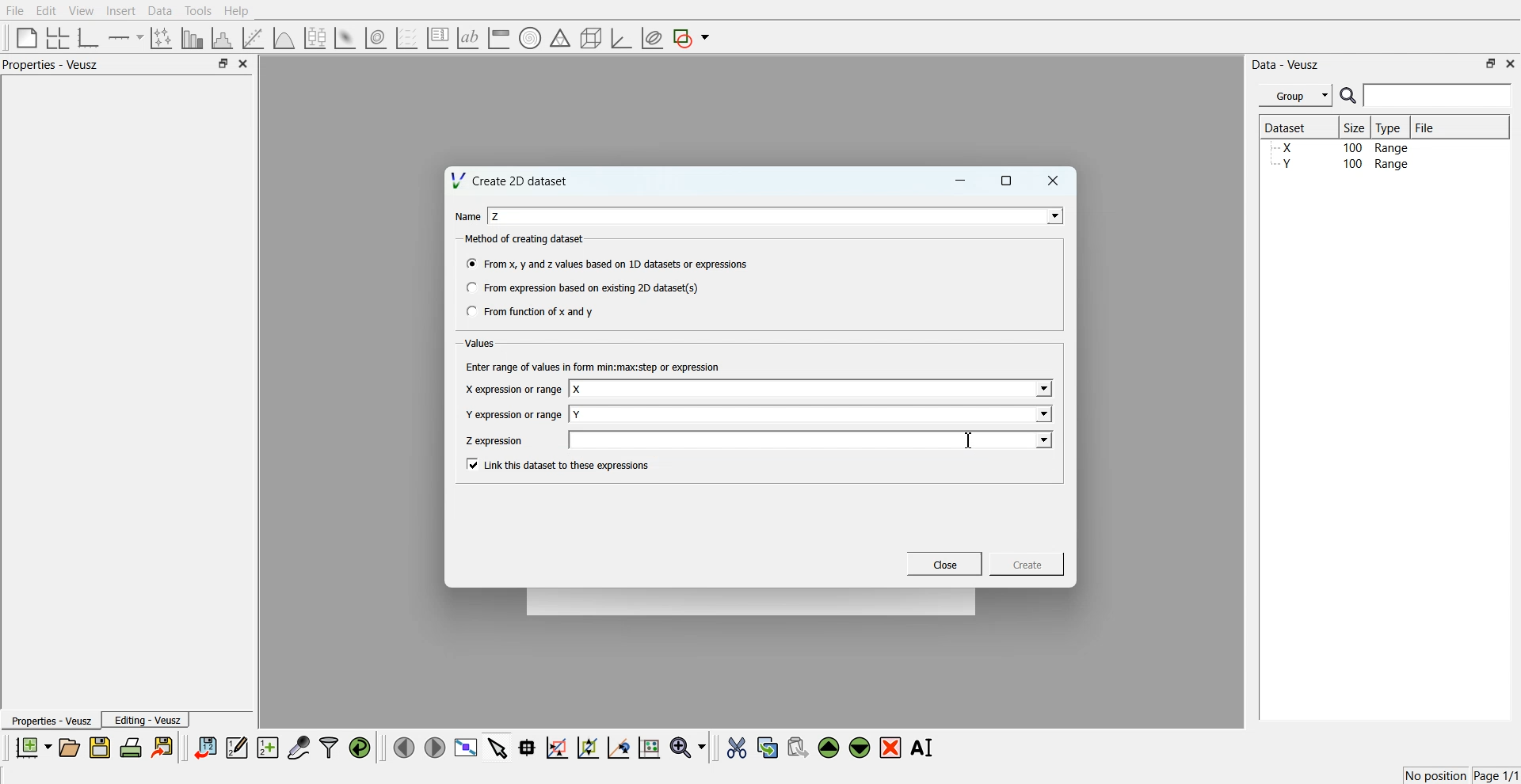 The width and height of the screenshot is (1521, 784). Describe the element at coordinates (120, 10) in the screenshot. I see `Insert` at that location.